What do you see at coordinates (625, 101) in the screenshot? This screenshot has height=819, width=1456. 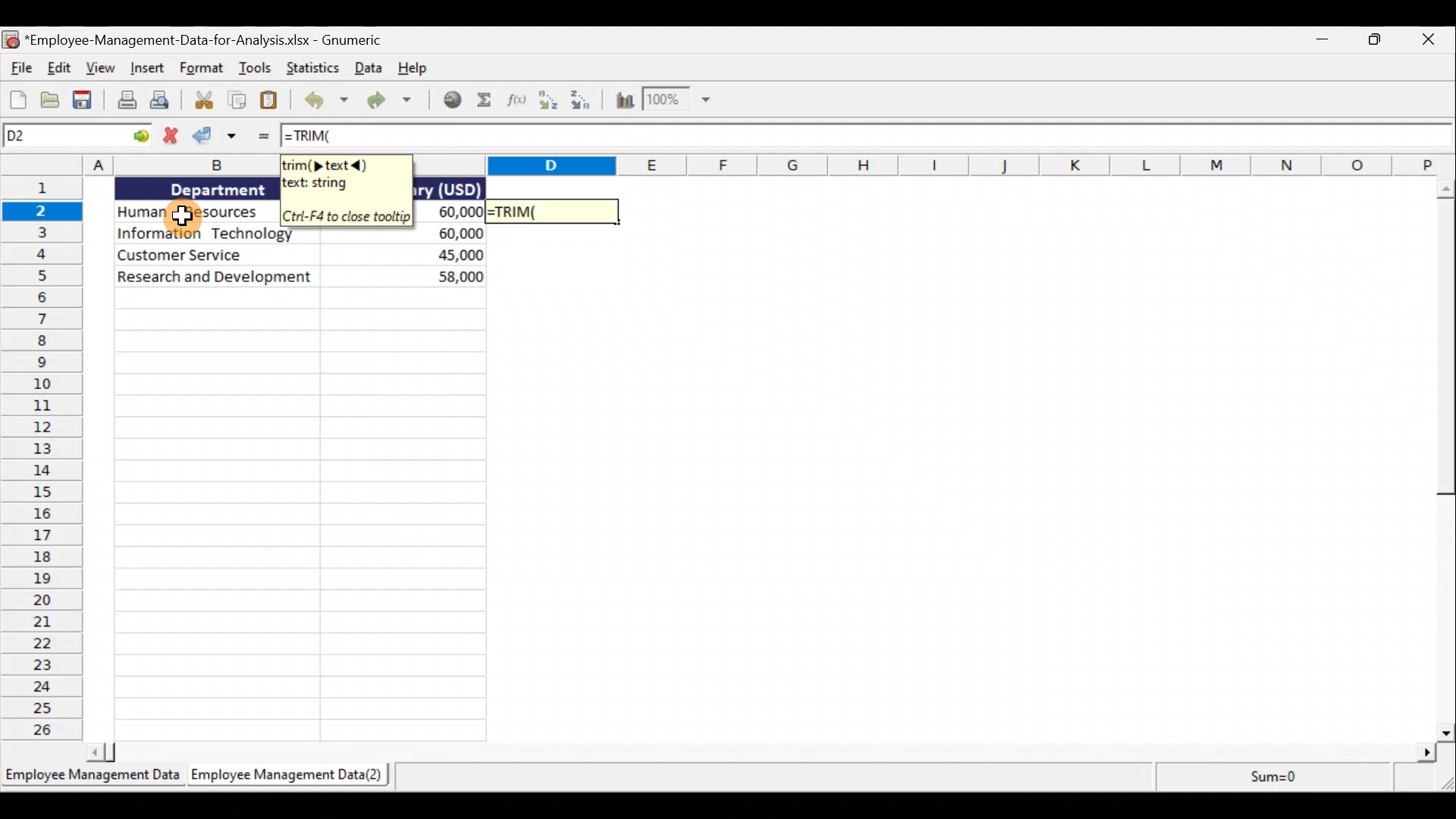 I see `Insert a chart` at bounding box center [625, 101].